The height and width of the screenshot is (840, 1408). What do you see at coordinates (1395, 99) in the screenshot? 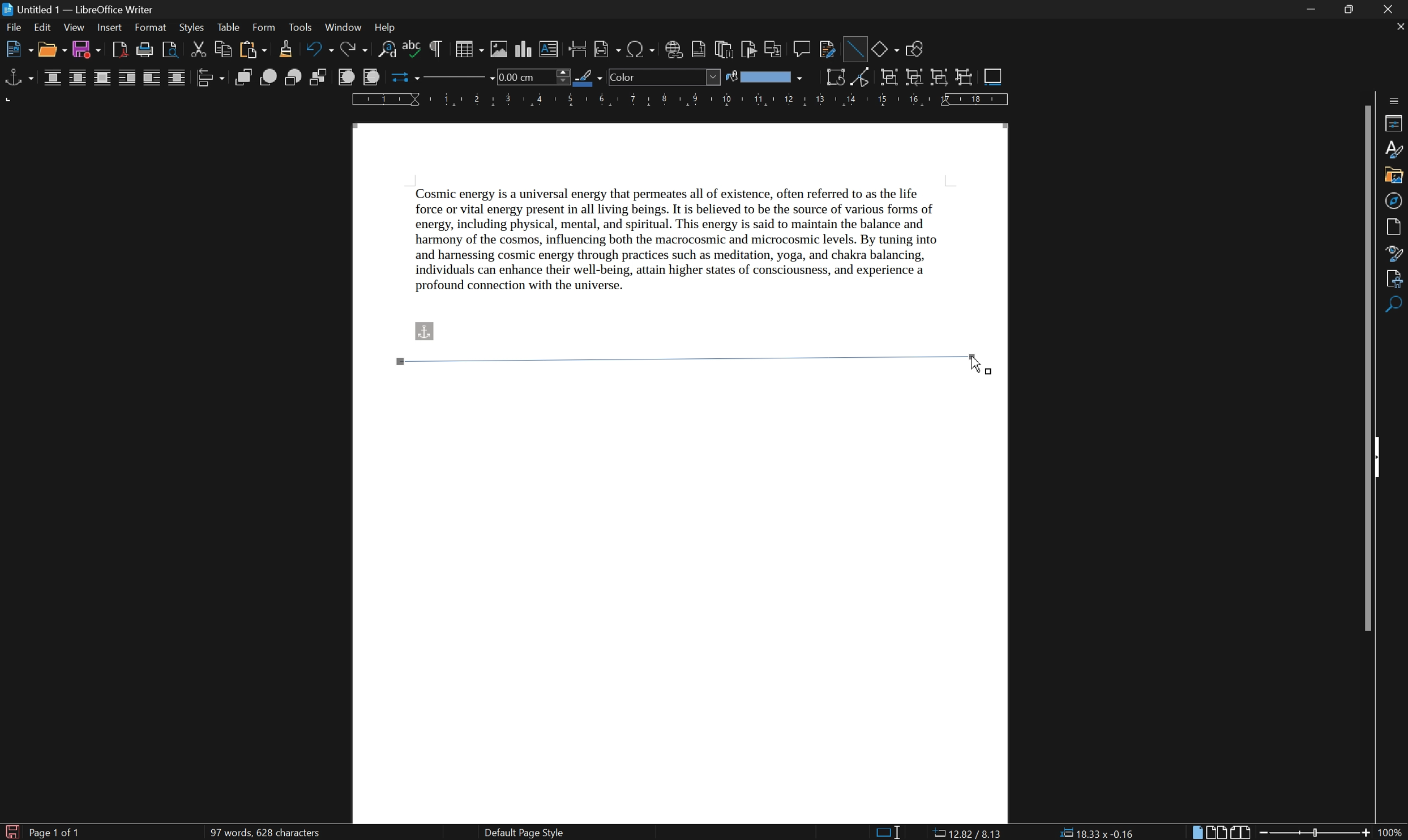
I see `sidebar settings` at bounding box center [1395, 99].